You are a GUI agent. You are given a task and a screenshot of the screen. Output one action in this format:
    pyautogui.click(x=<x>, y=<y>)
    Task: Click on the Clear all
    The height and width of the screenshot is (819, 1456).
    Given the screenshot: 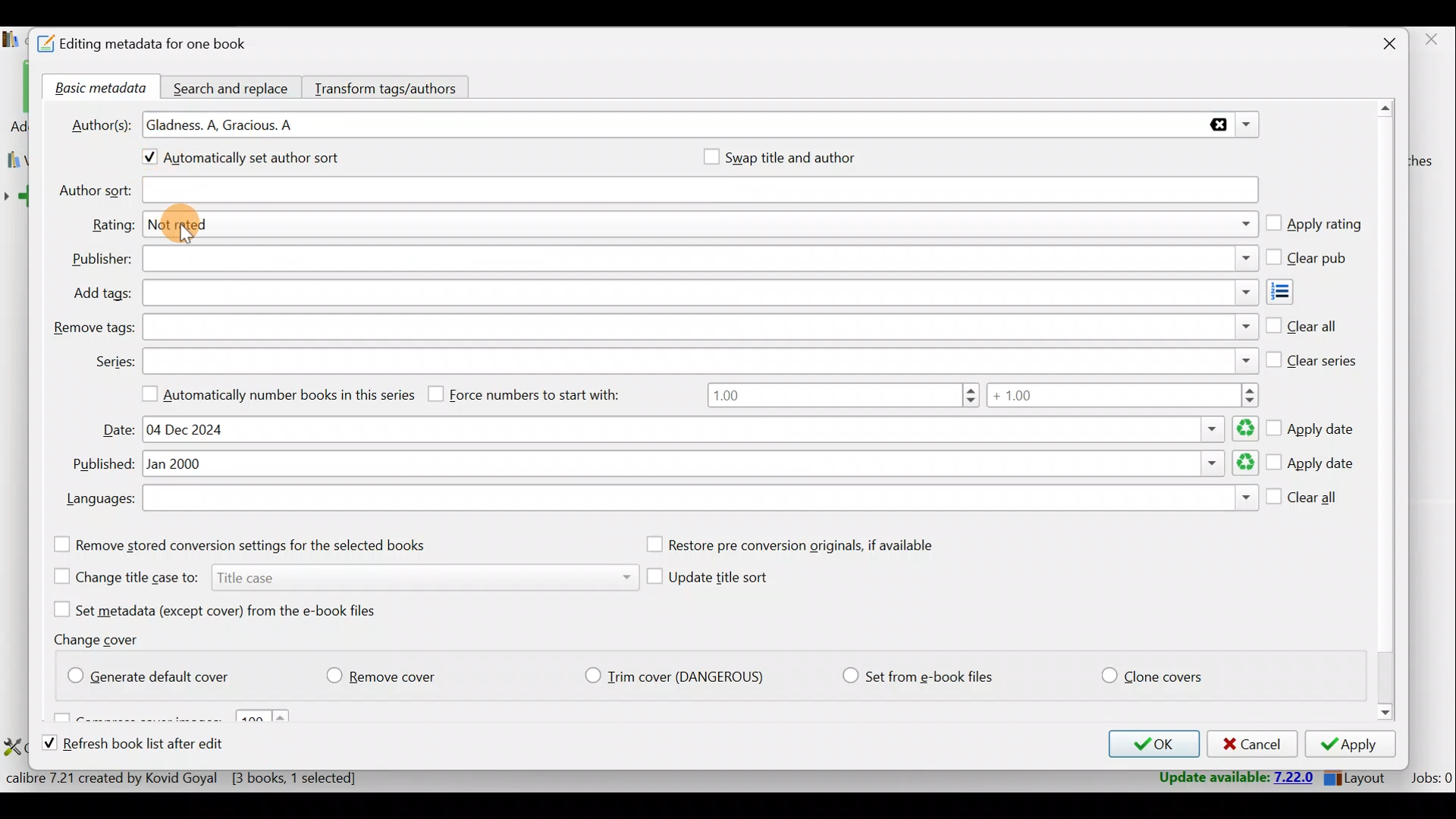 What is the action you would take?
    pyautogui.click(x=1304, y=500)
    